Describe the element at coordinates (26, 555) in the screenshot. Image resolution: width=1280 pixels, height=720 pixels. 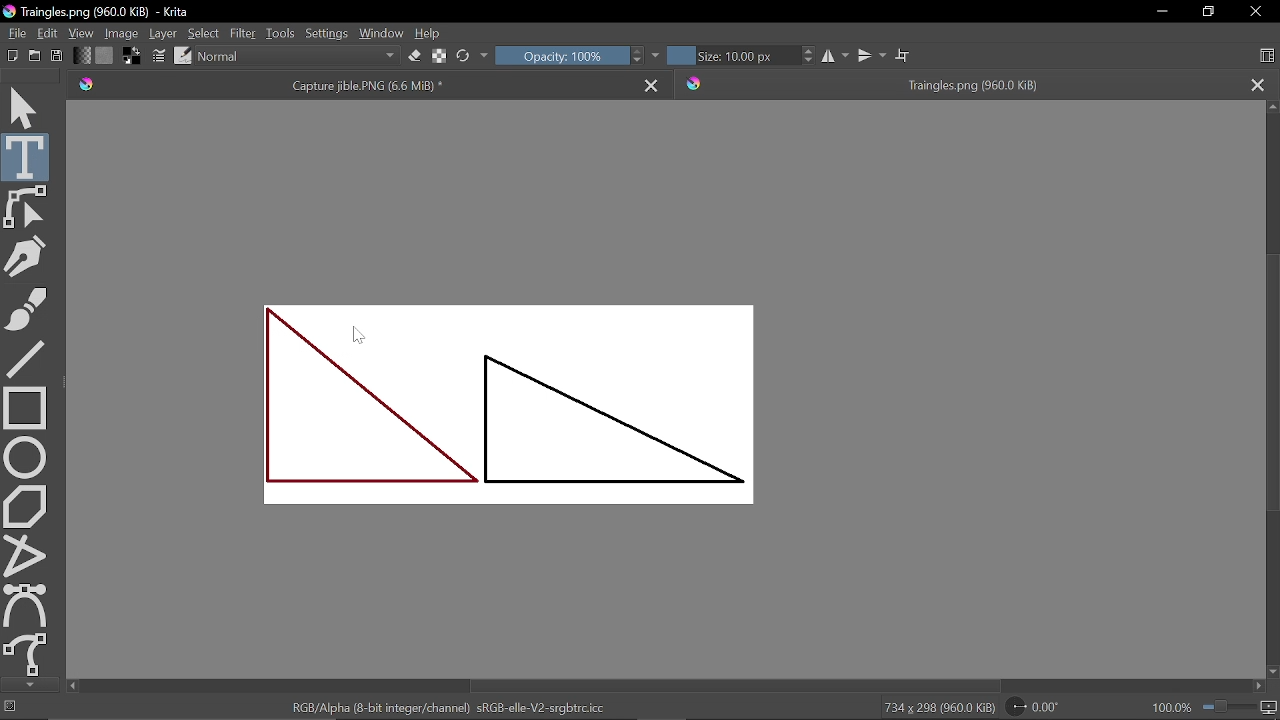
I see `Polyline tool` at that location.